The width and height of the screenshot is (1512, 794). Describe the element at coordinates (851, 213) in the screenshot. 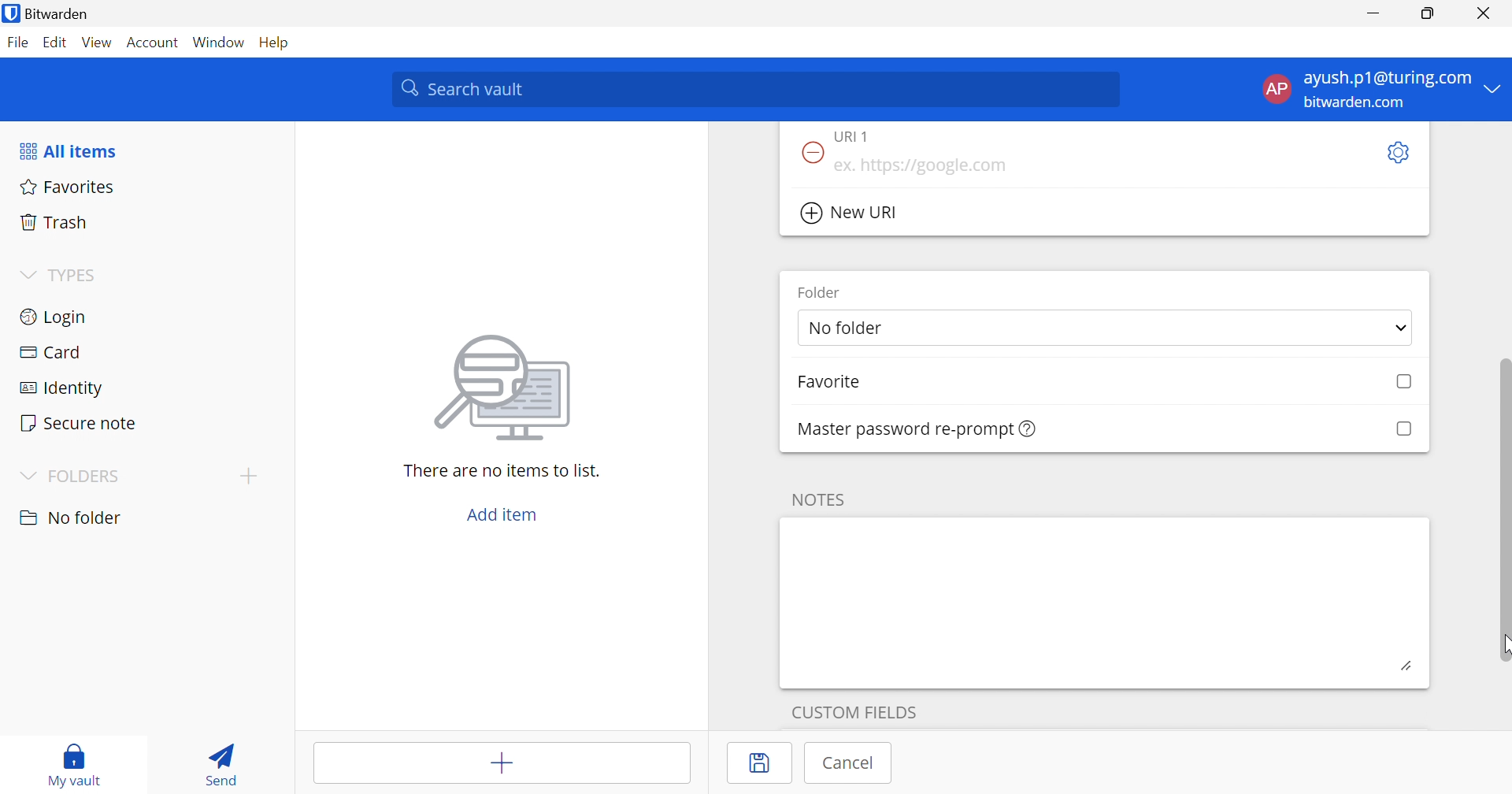

I see `New URI` at that location.